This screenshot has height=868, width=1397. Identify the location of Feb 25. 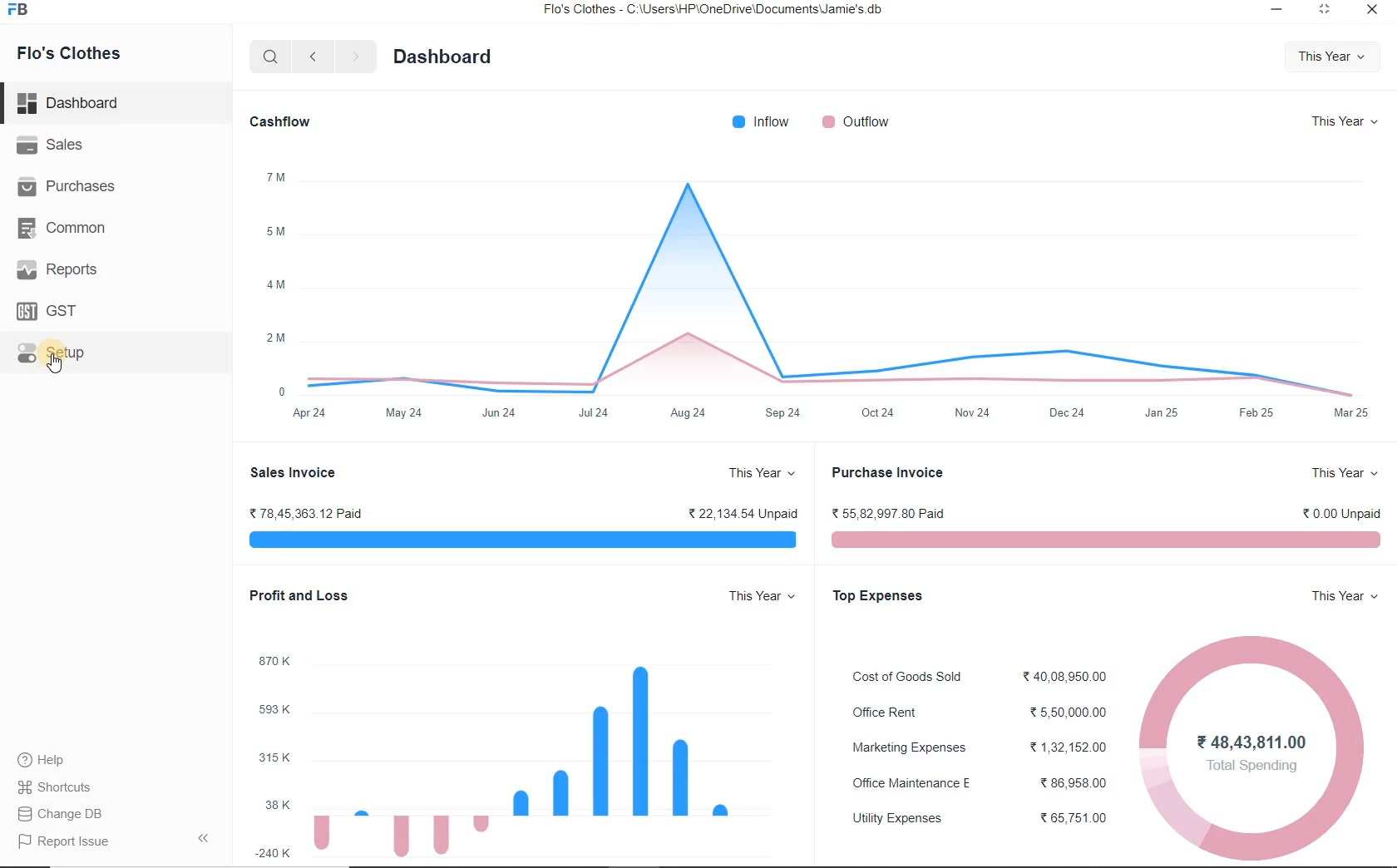
(1257, 412).